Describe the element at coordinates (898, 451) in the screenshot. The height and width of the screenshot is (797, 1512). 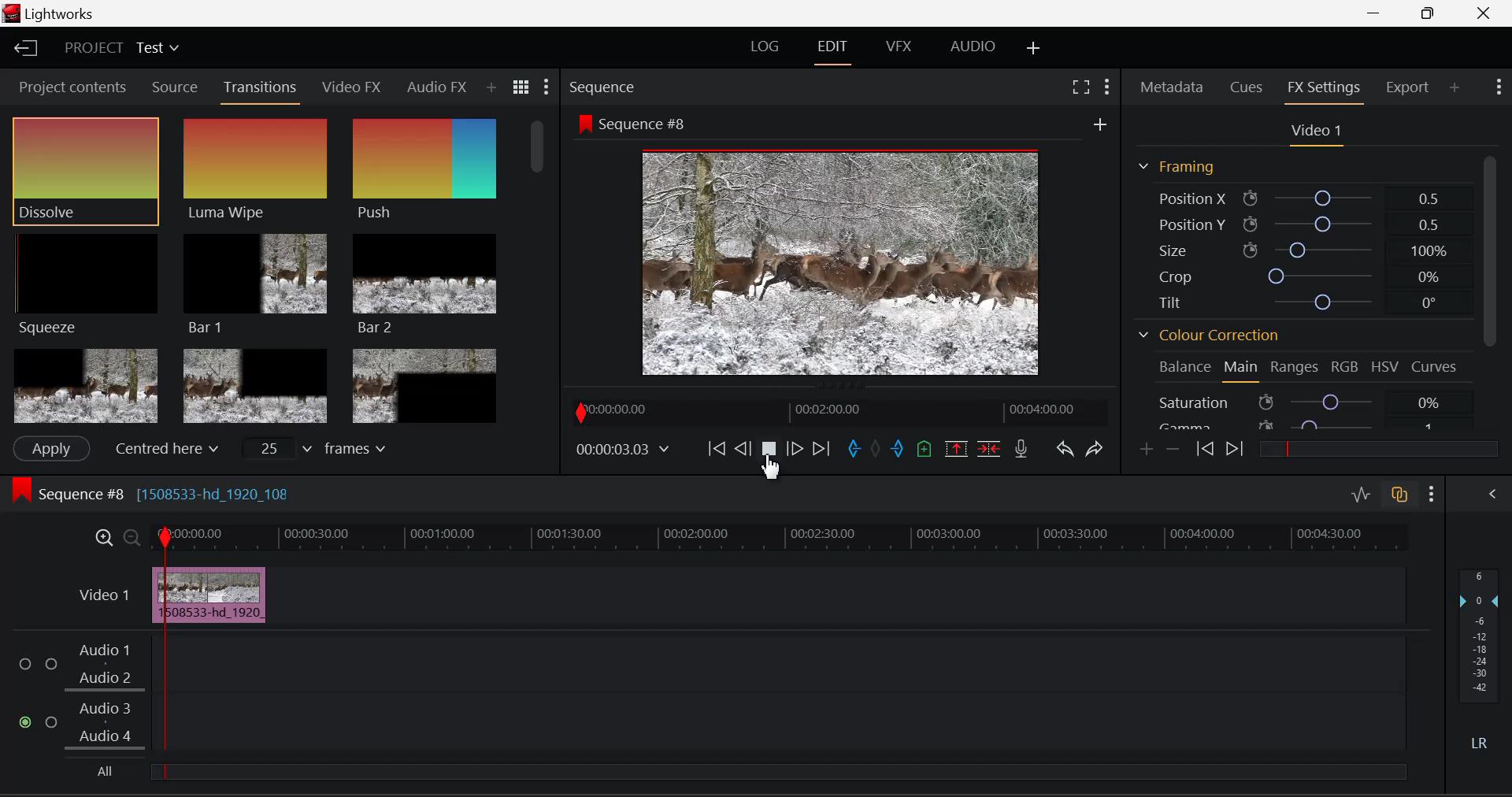
I see `Mark Out` at that location.